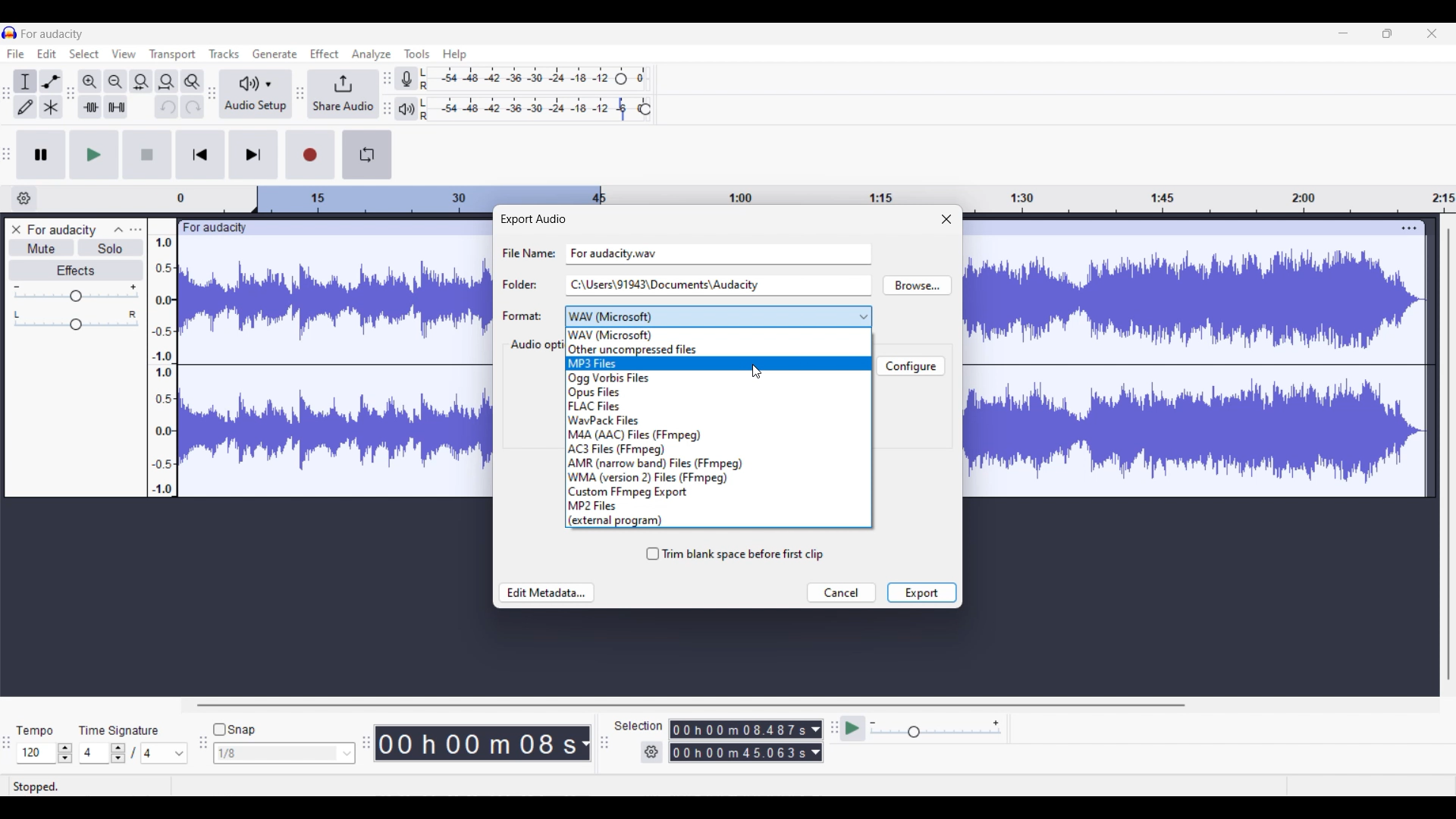  What do you see at coordinates (718, 364) in the screenshot?
I see `MP3 Files, format highlighted by cursor` at bounding box center [718, 364].